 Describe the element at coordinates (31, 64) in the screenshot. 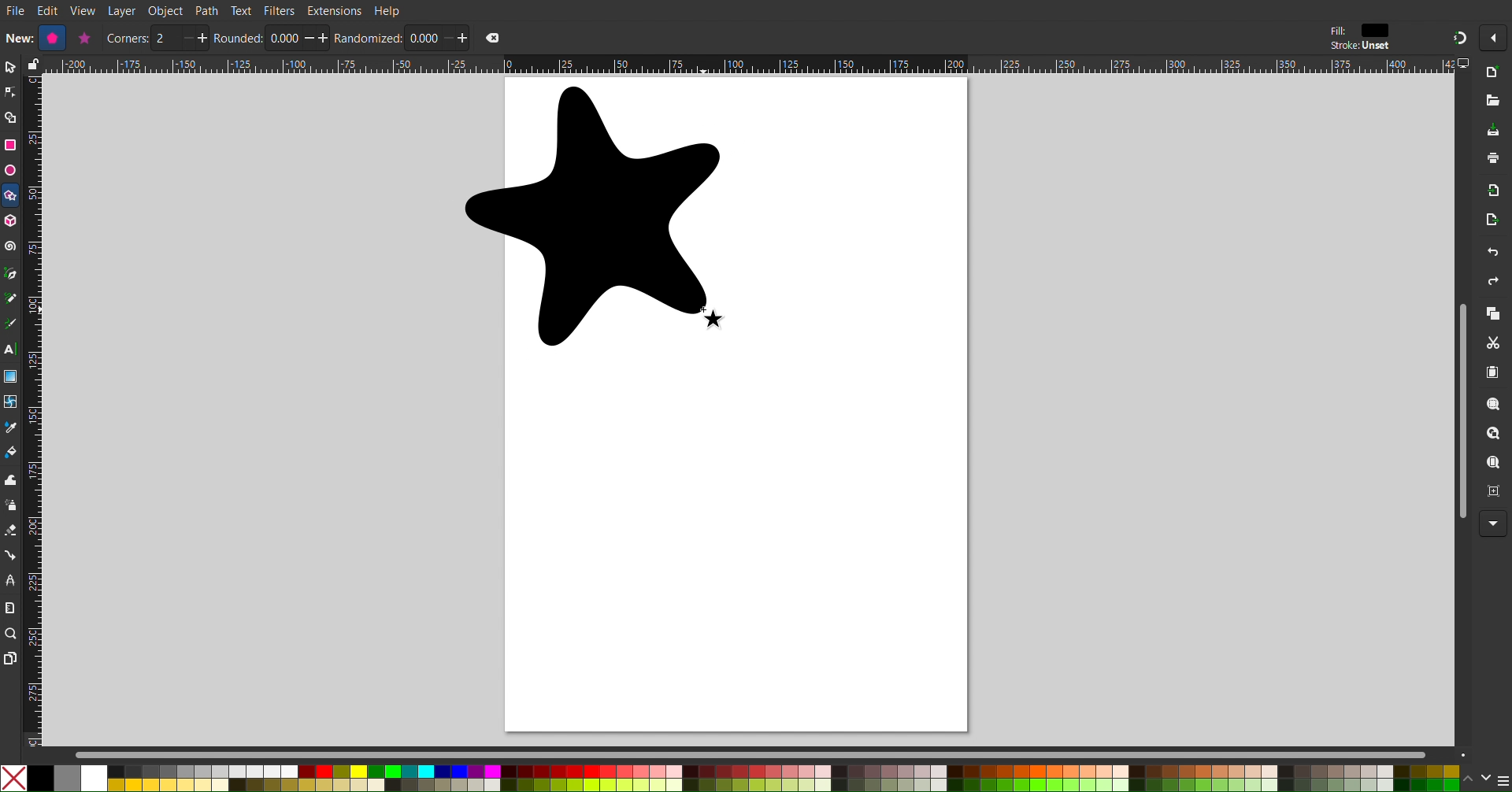

I see `lock` at that location.